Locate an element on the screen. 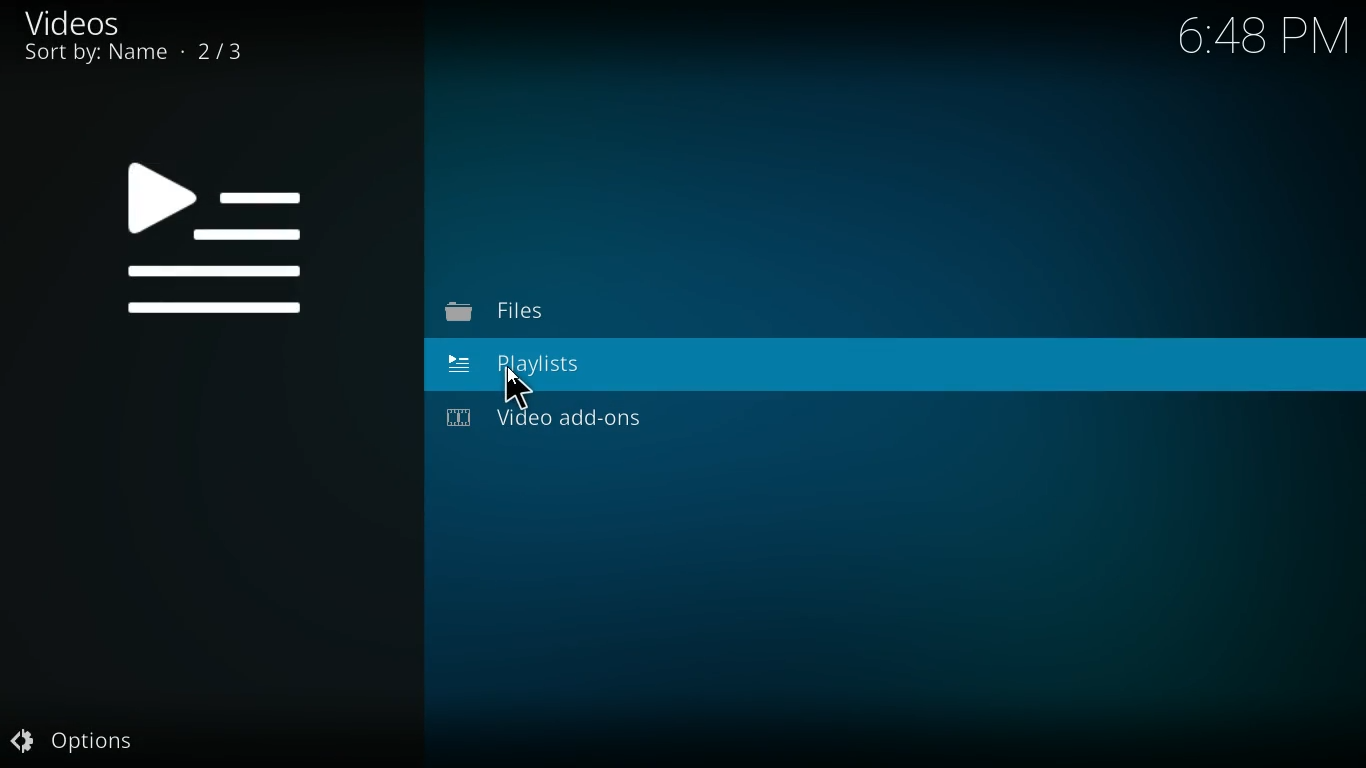 This screenshot has height=768, width=1366. playlist is located at coordinates (535, 370).